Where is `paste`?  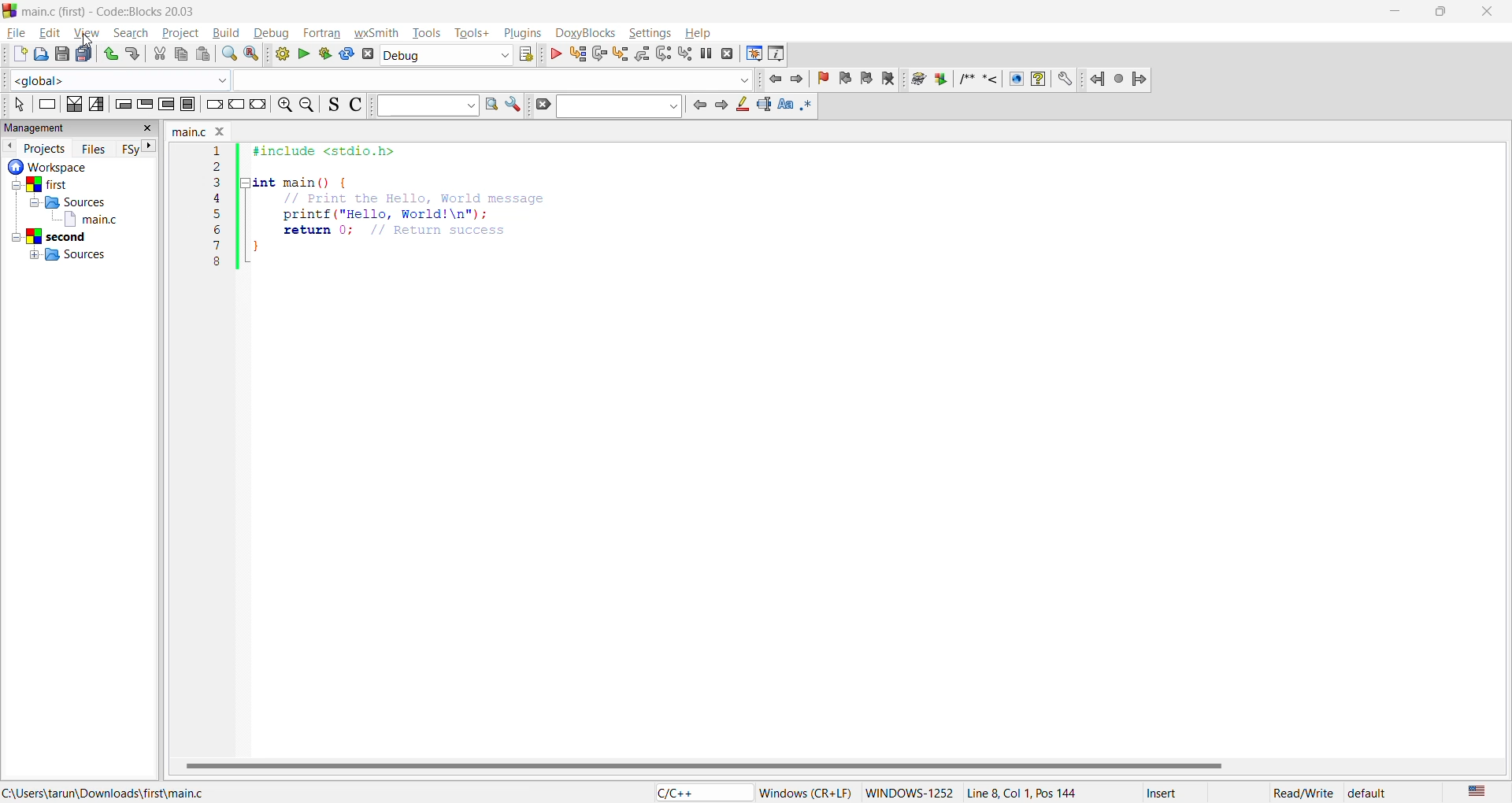 paste is located at coordinates (203, 55).